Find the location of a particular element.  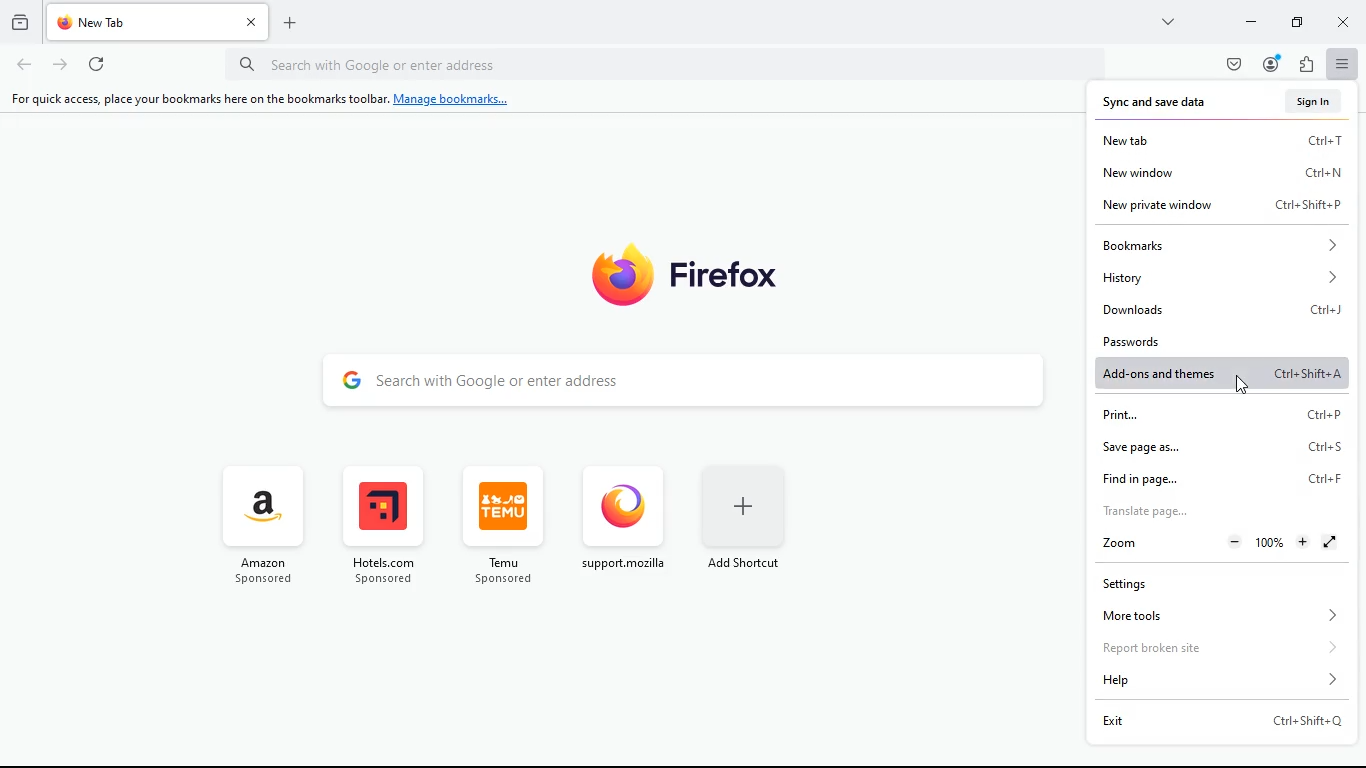

firefox is located at coordinates (702, 271).